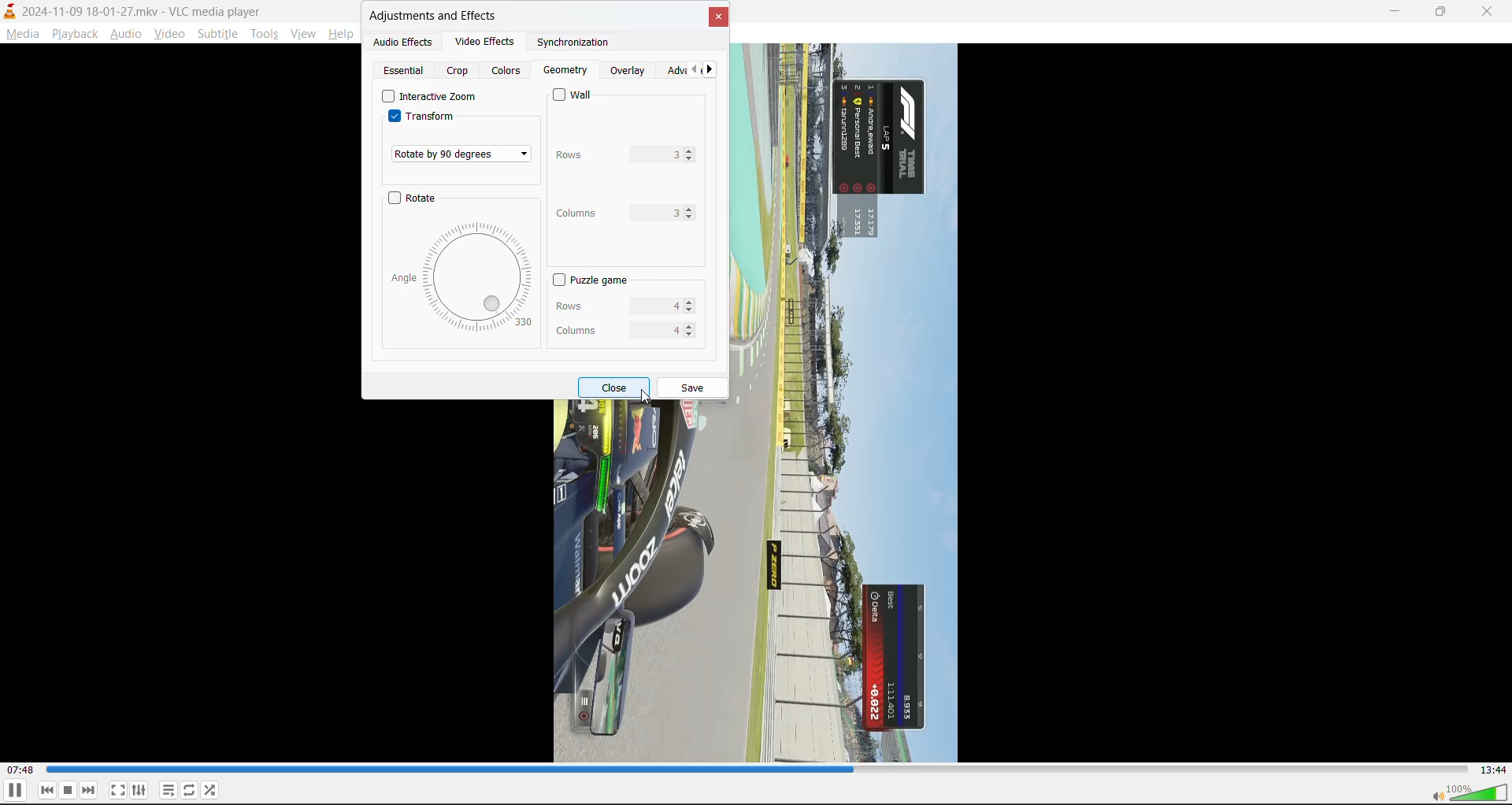 The height and width of the screenshot is (805, 1512). I want to click on previous, so click(693, 69).